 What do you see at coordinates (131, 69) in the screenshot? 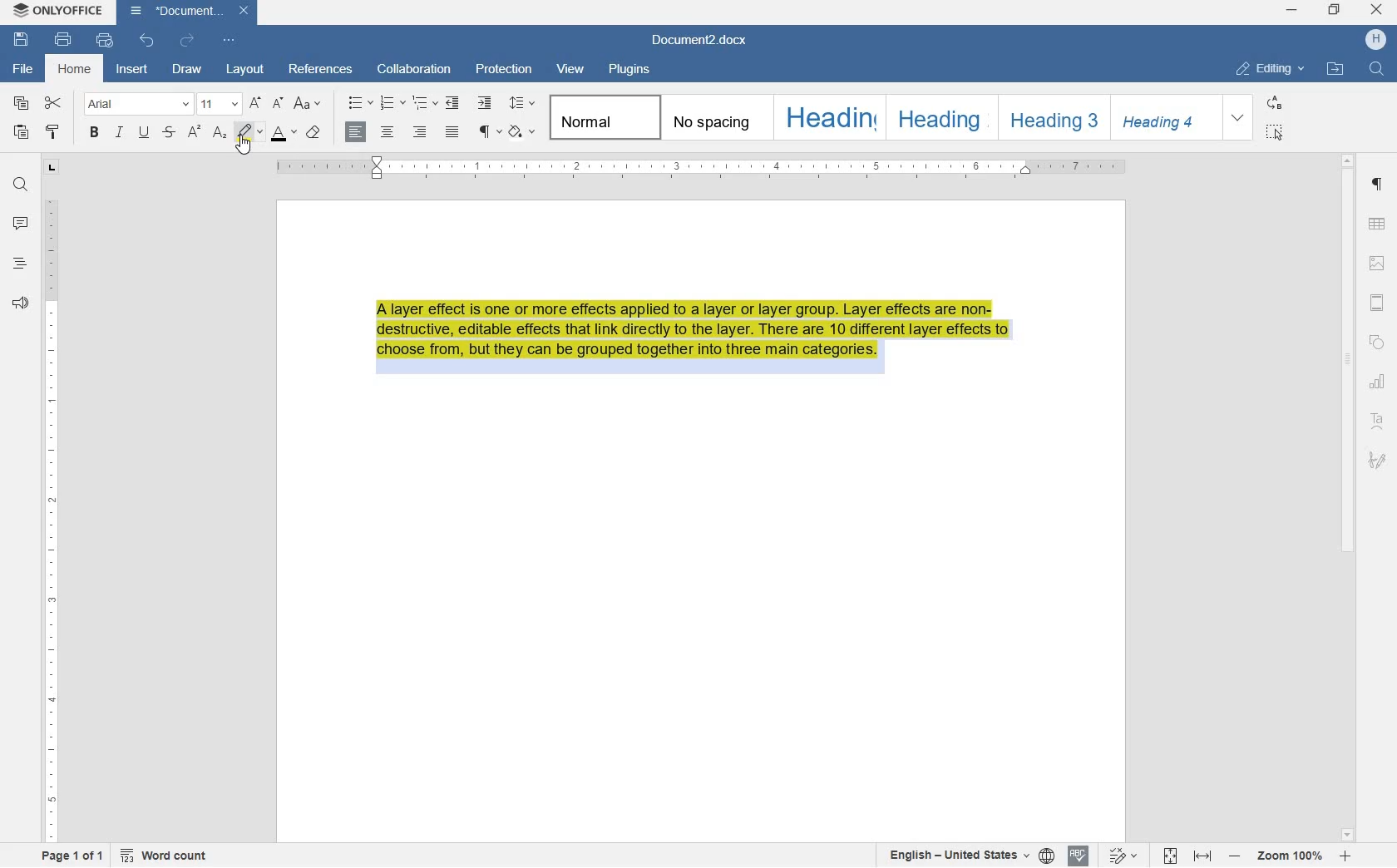
I see `INSERT` at bounding box center [131, 69].